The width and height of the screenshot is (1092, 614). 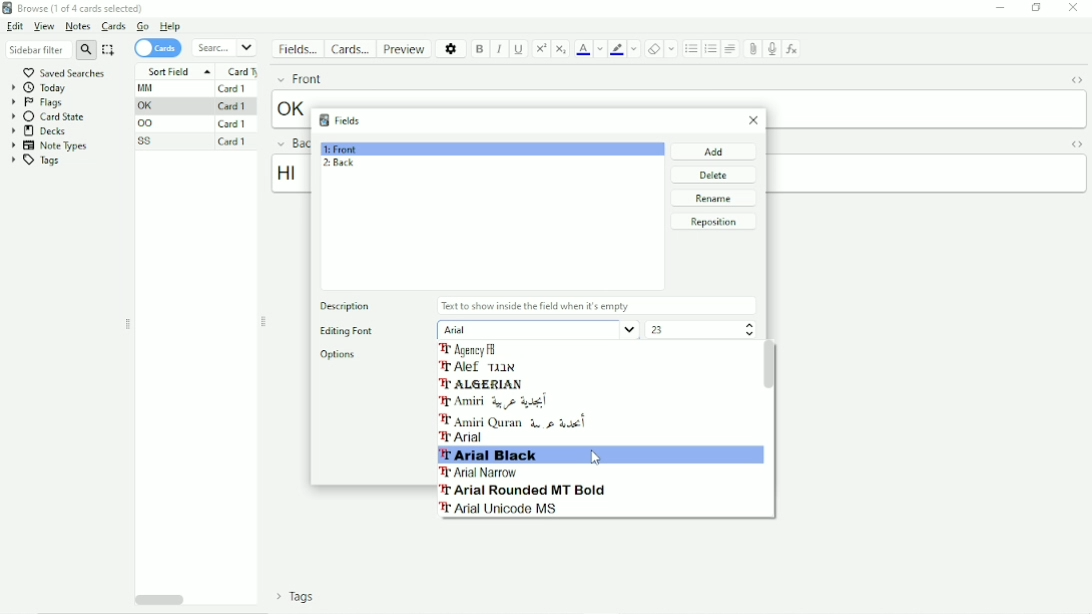 I want to click on Underline, so click(x=520, y=48).